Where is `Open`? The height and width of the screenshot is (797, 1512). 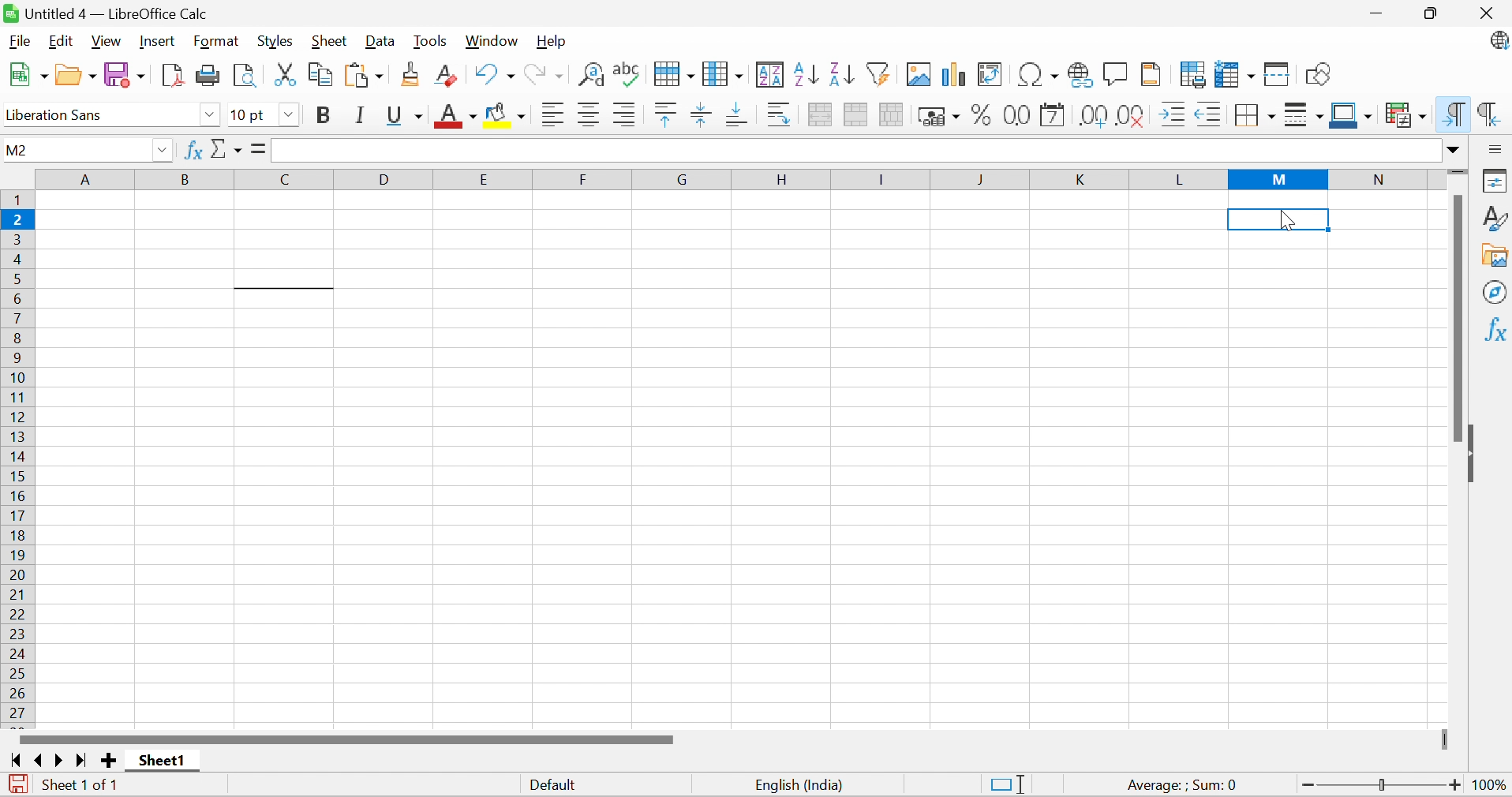
Open is located at coordinates (76, 75).